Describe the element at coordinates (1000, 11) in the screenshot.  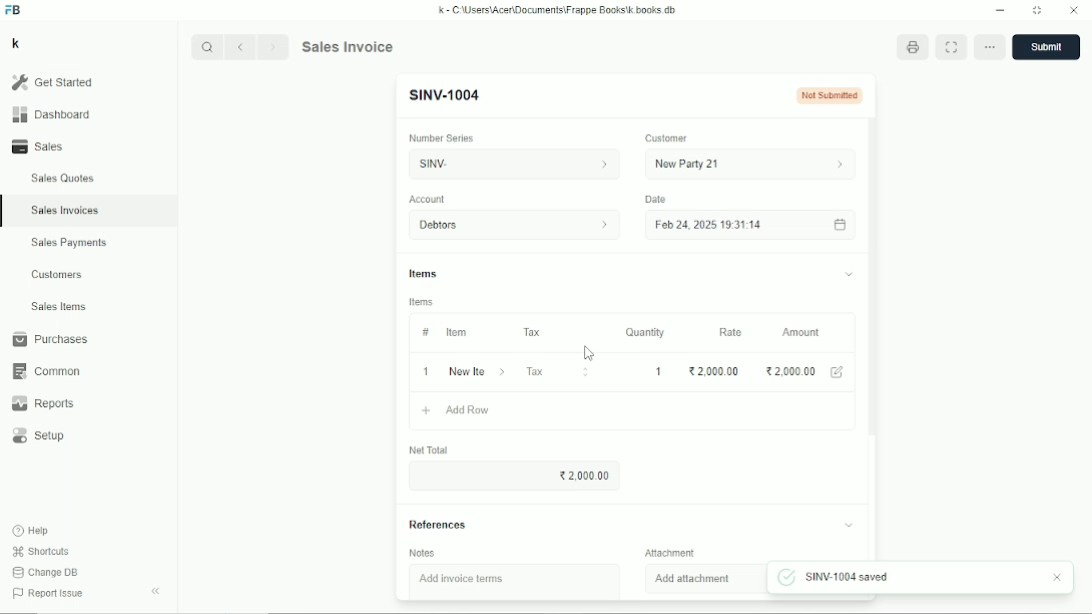
I see `Minimize` at that location.